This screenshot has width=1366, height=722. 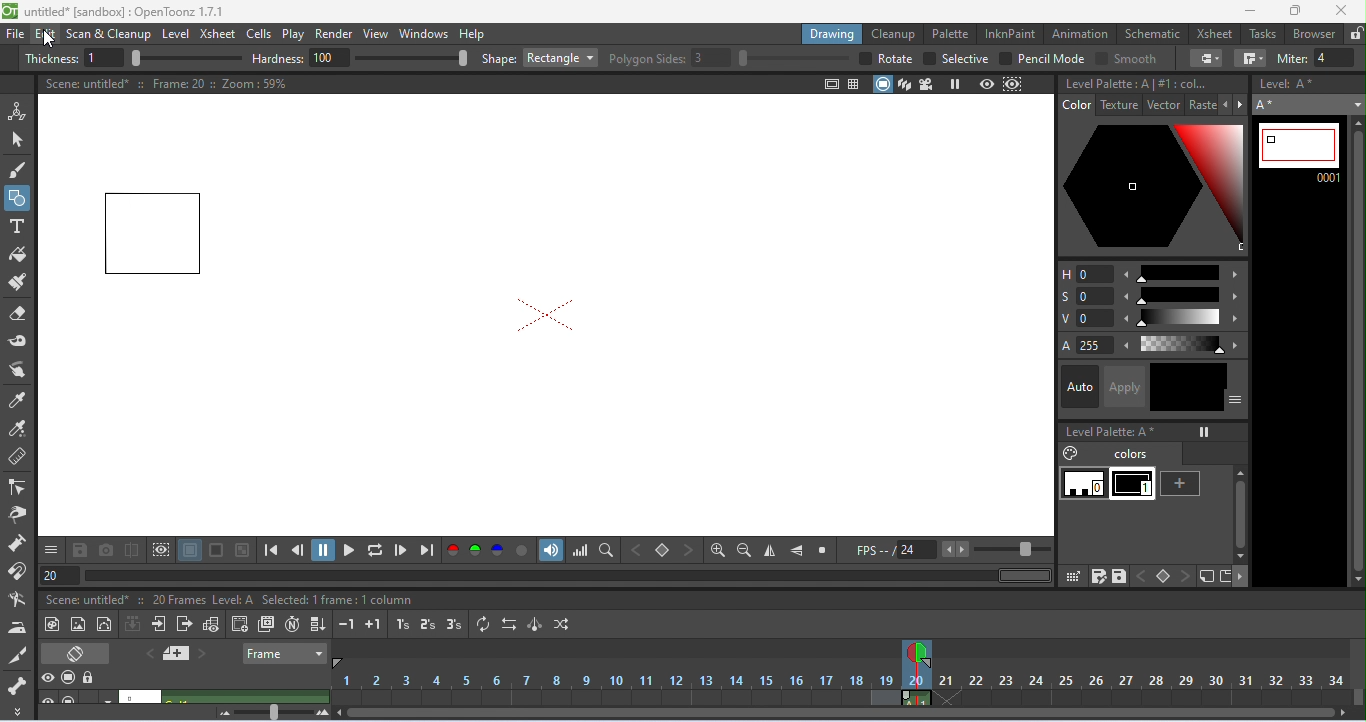 I want to click on colors, so click(x=1109, y=453).